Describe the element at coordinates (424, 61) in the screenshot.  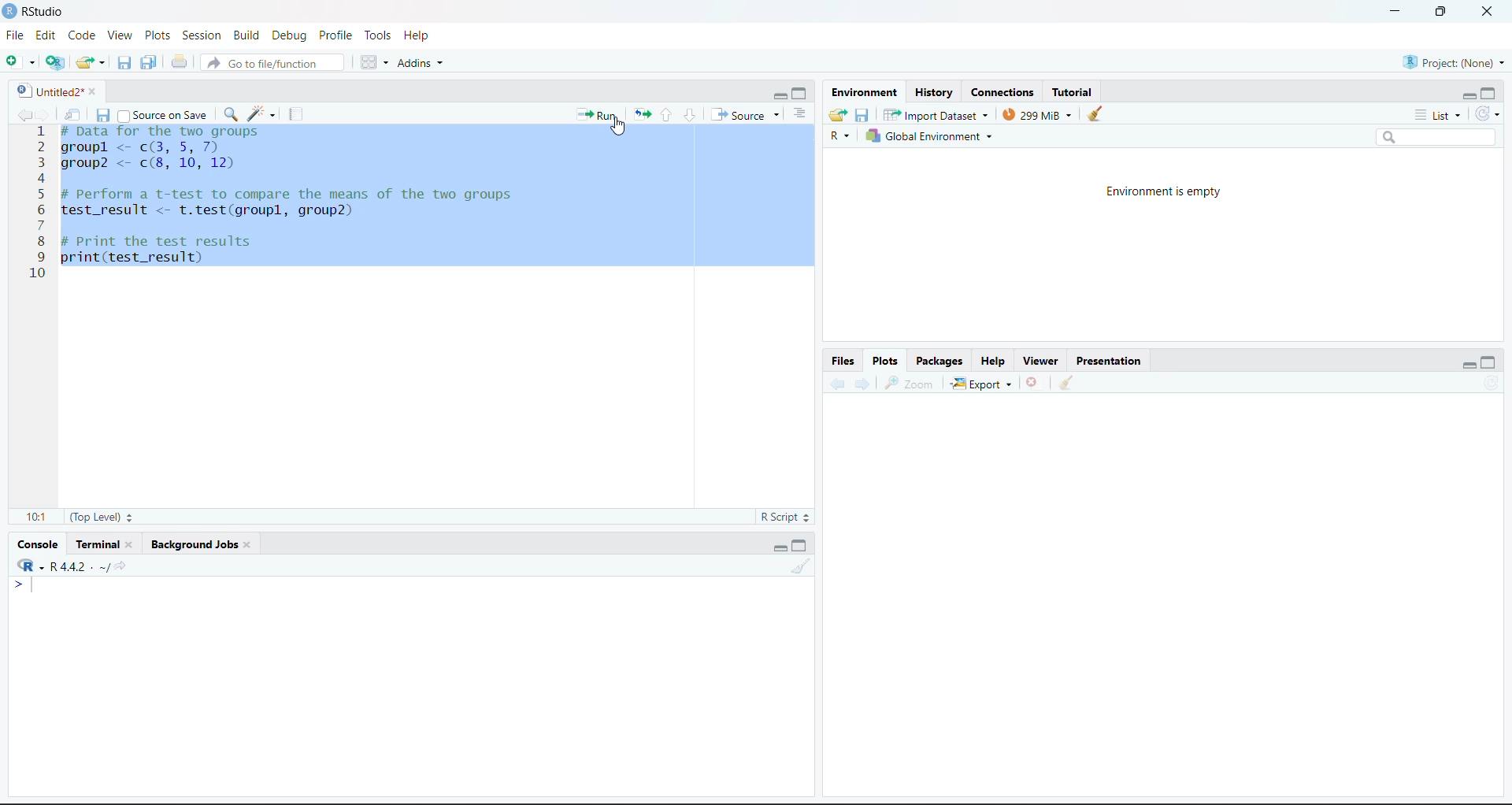
I see `addins` at that location.